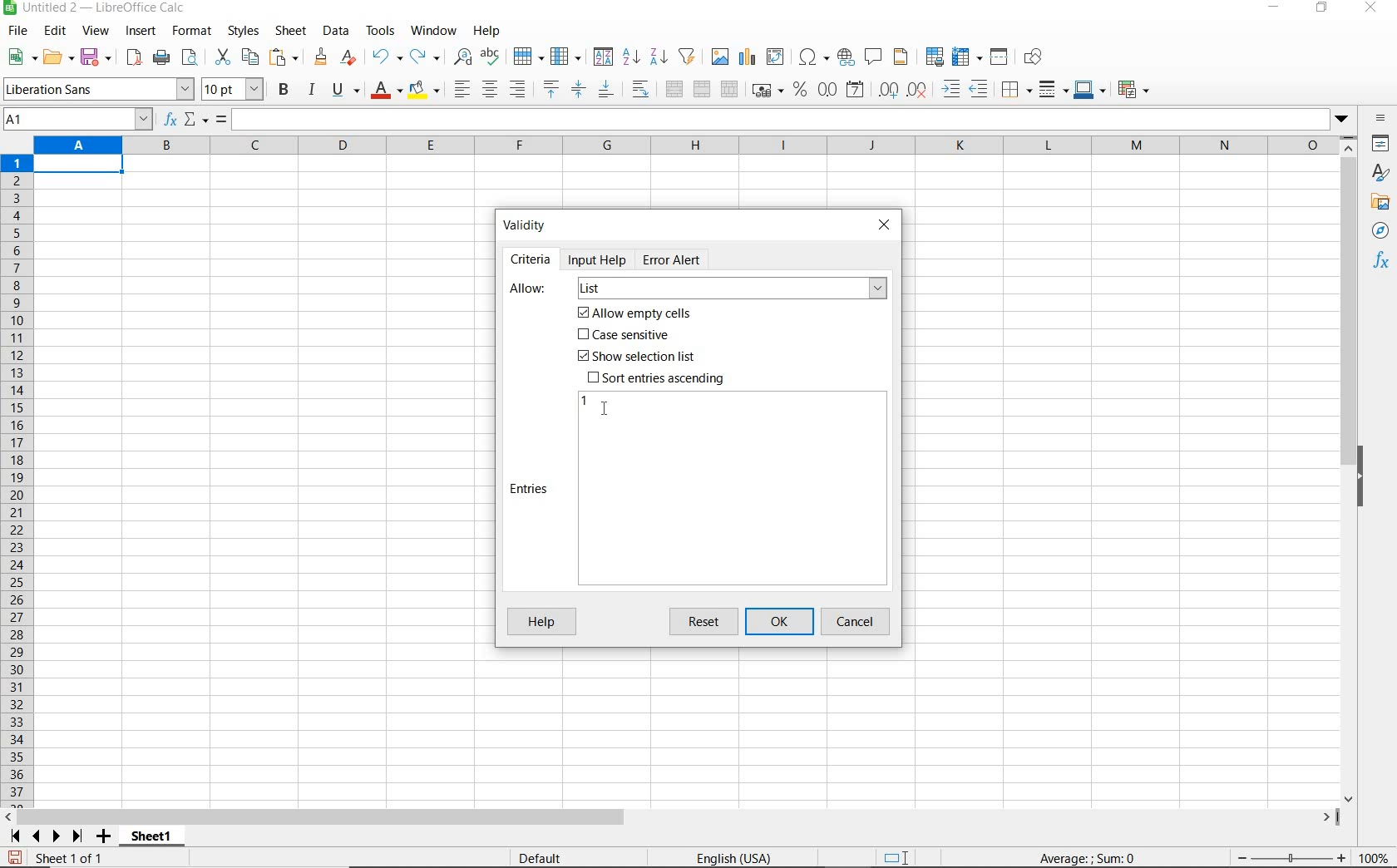 The height and width of the screenshot is (868, 1397). Describe the element at coordinates (42, 836) in the screenshot. I see `scroll next` at that location.